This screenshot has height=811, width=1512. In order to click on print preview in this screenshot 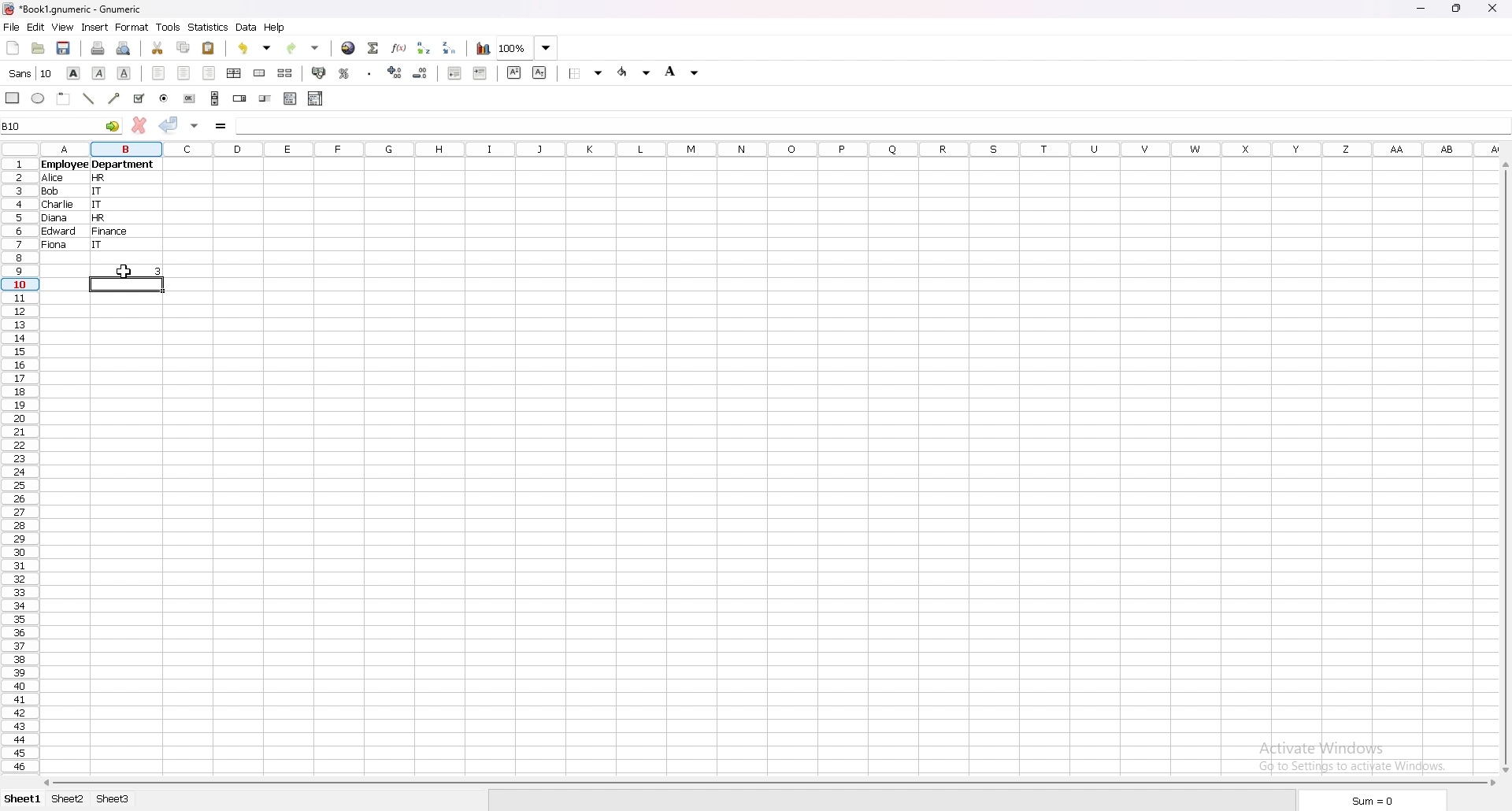, I will do `click(124, 48)`.